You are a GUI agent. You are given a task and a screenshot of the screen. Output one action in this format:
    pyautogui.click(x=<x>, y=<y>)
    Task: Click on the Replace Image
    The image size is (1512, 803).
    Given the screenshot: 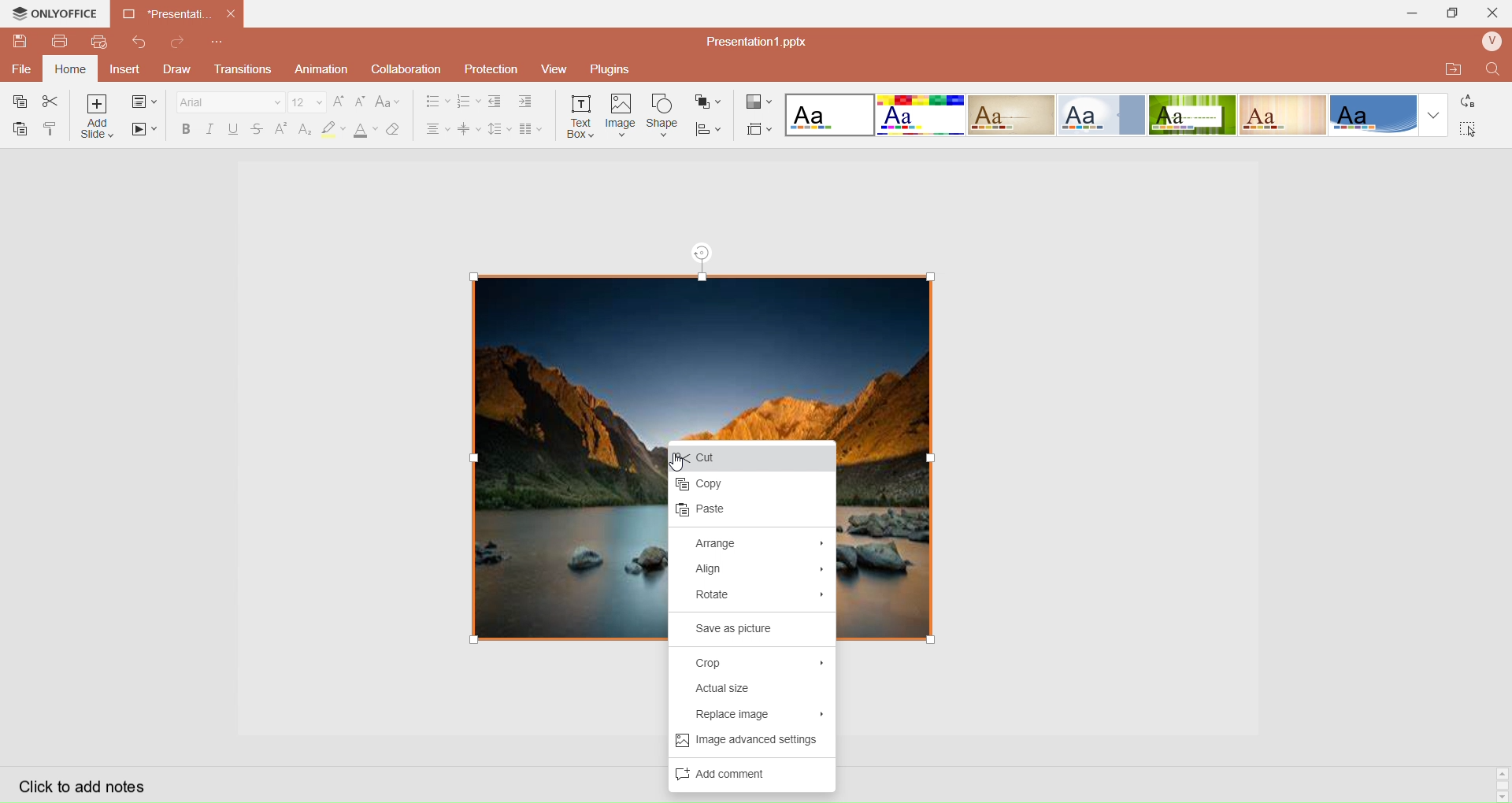 What is the action you would take?
    pyautogui.click(x=759, y=714)
    